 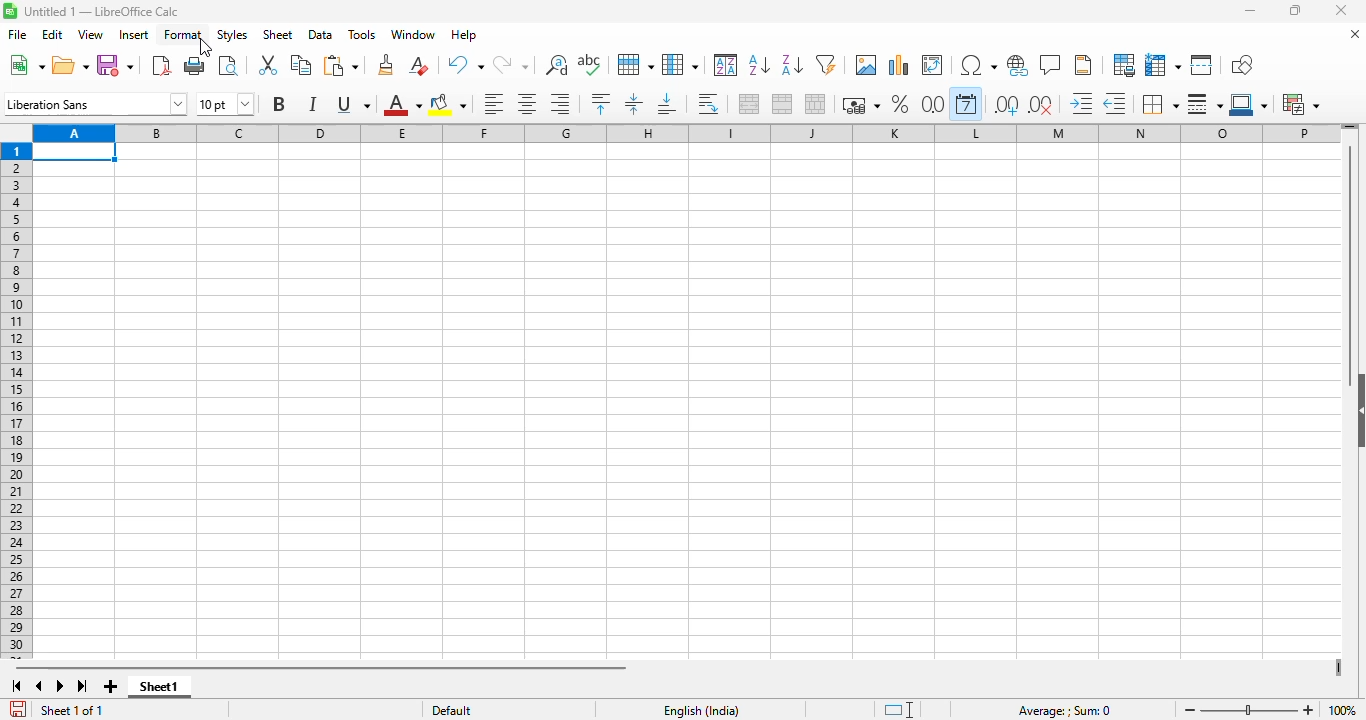 I want to click on align center, so click(x=528, y=105).